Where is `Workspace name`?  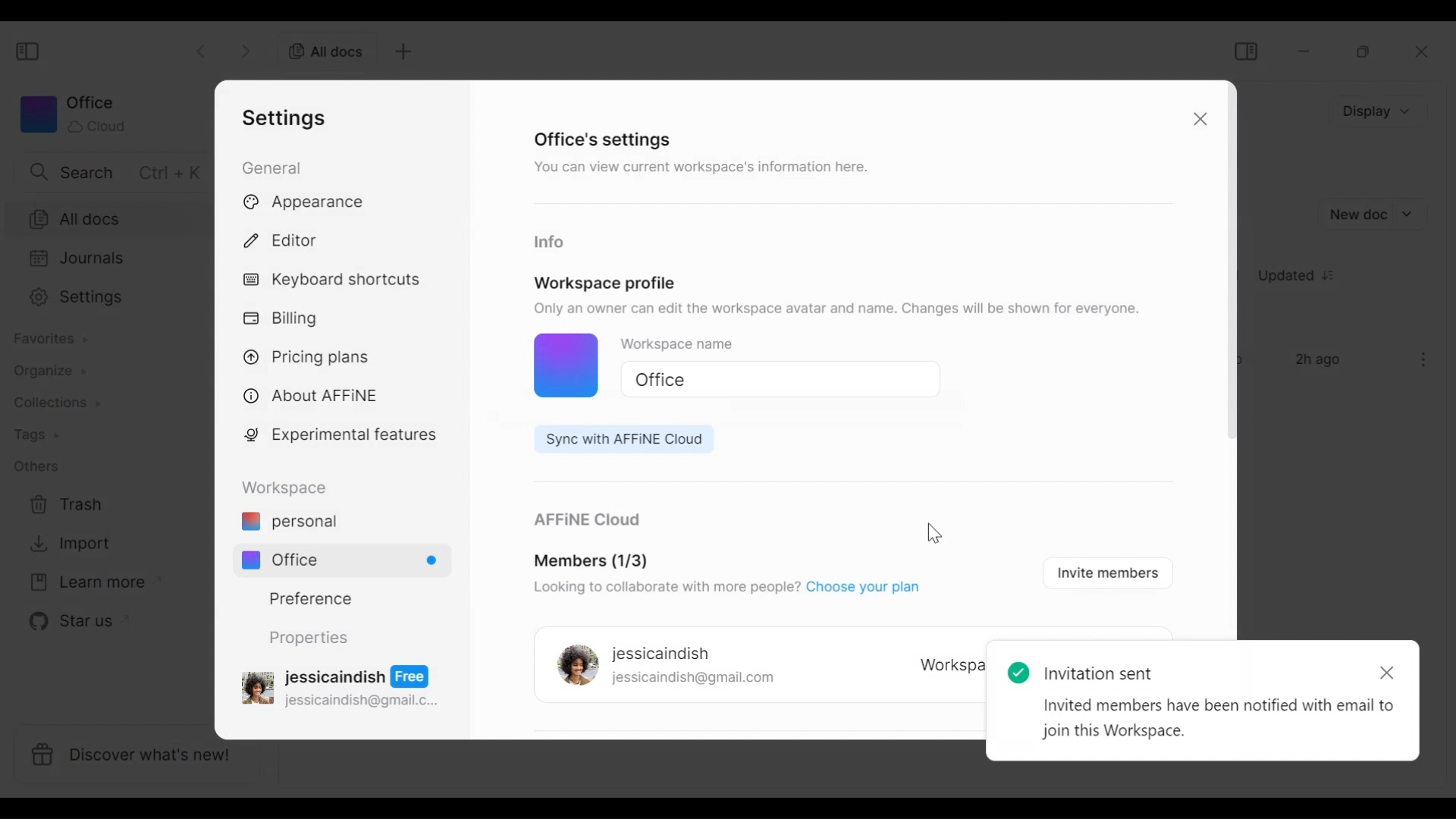 Workspace name is located at coordinates (694, 347).